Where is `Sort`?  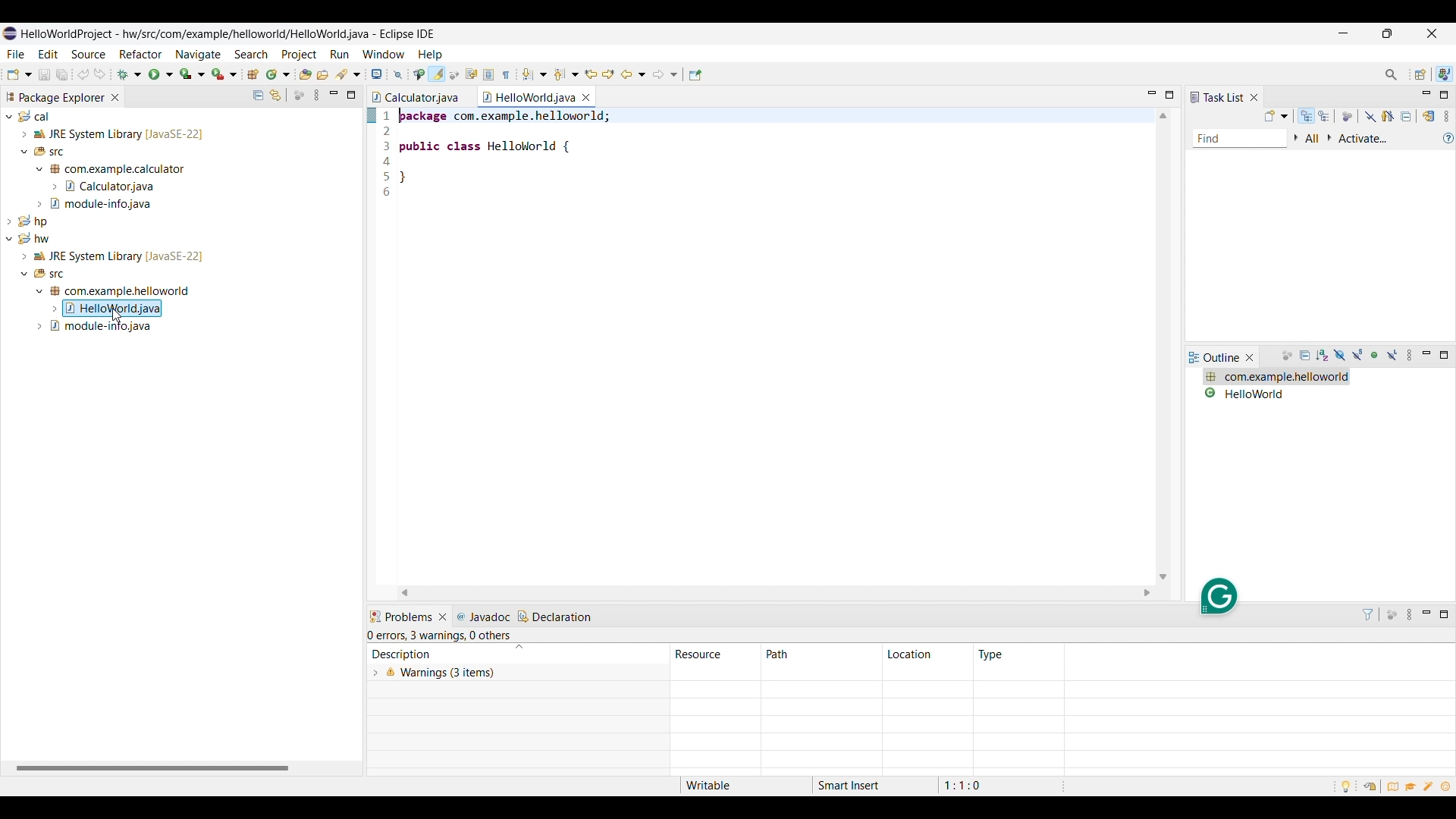
Sort is located at coordinates (1323, 356).